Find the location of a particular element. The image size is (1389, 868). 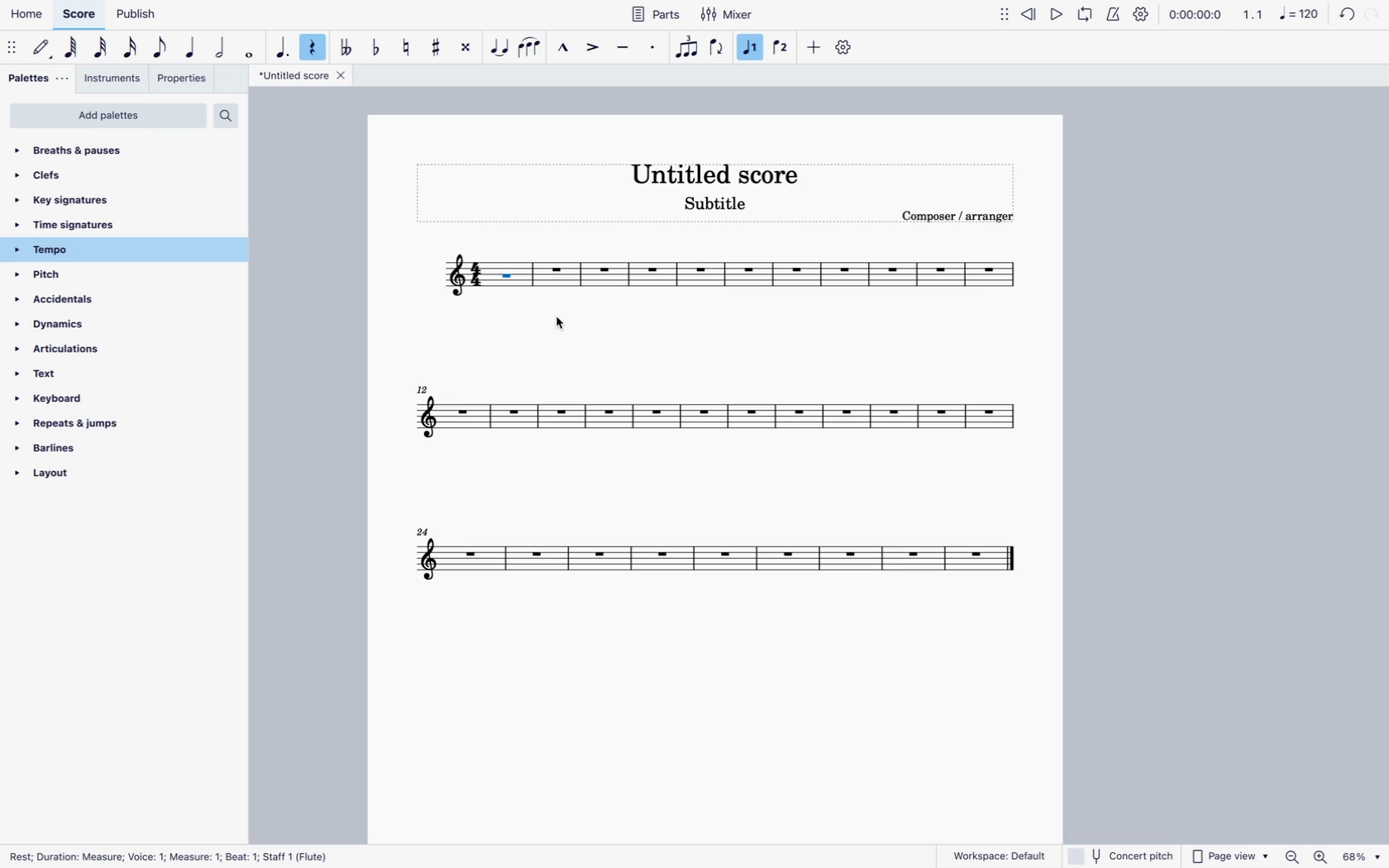

time is located at coordinates (1196, 15).